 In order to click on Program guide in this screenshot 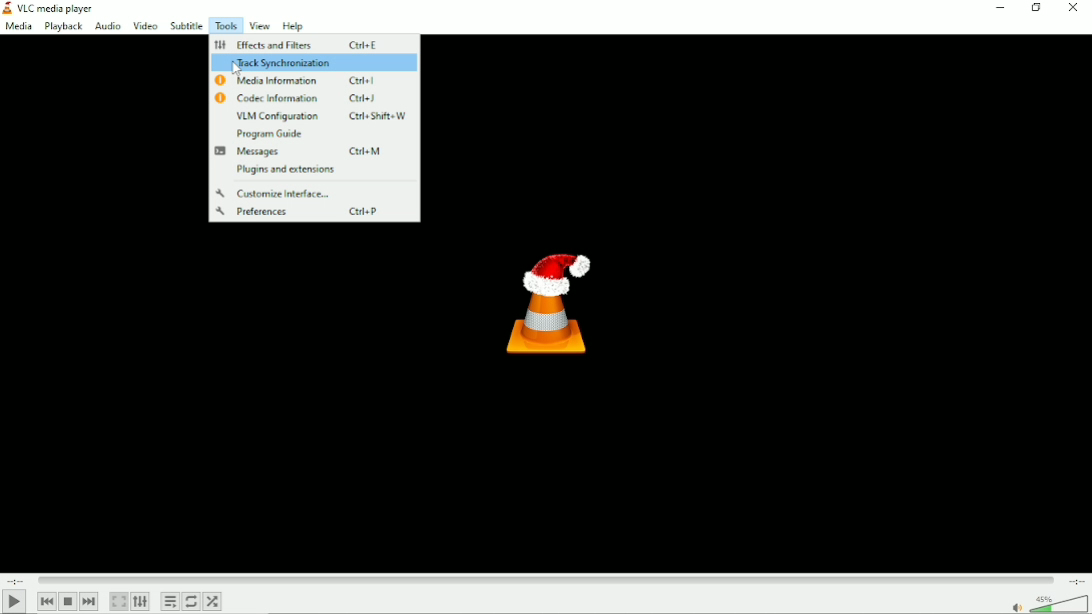, I will do `click(270, 134)`.